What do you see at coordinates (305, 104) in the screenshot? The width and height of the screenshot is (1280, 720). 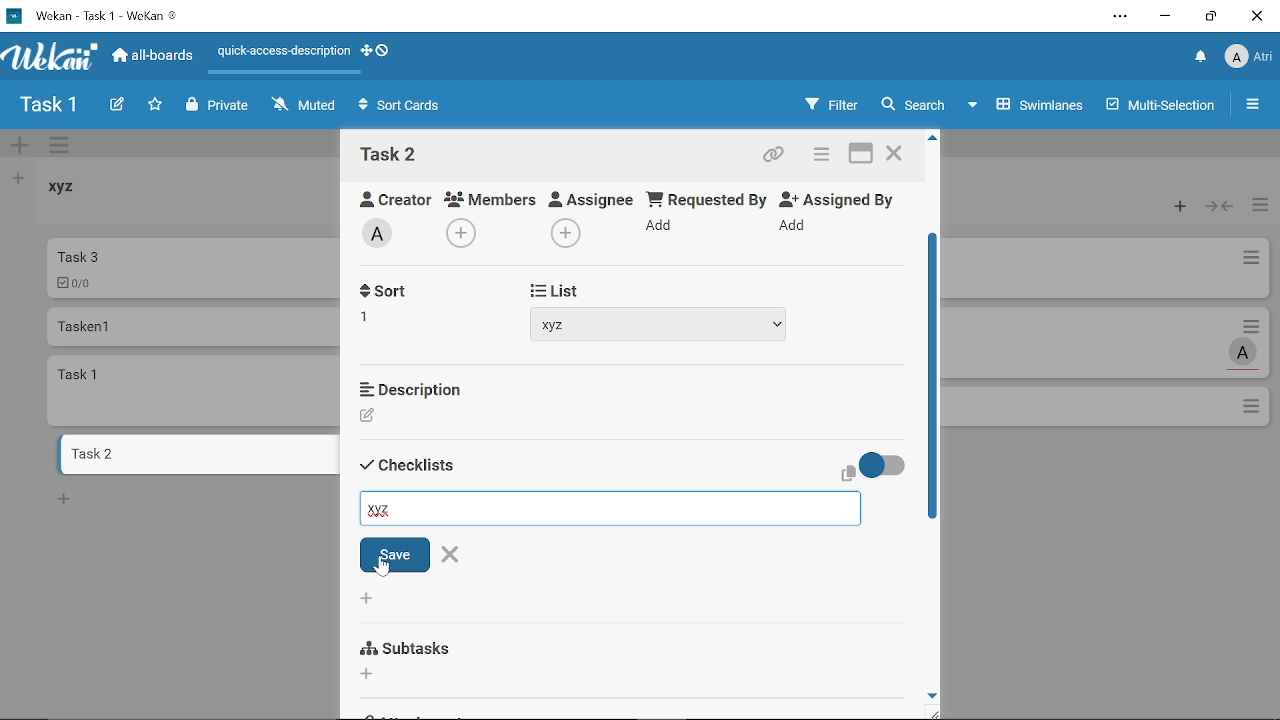 I see `Muted` at bounding box center [305, 104].